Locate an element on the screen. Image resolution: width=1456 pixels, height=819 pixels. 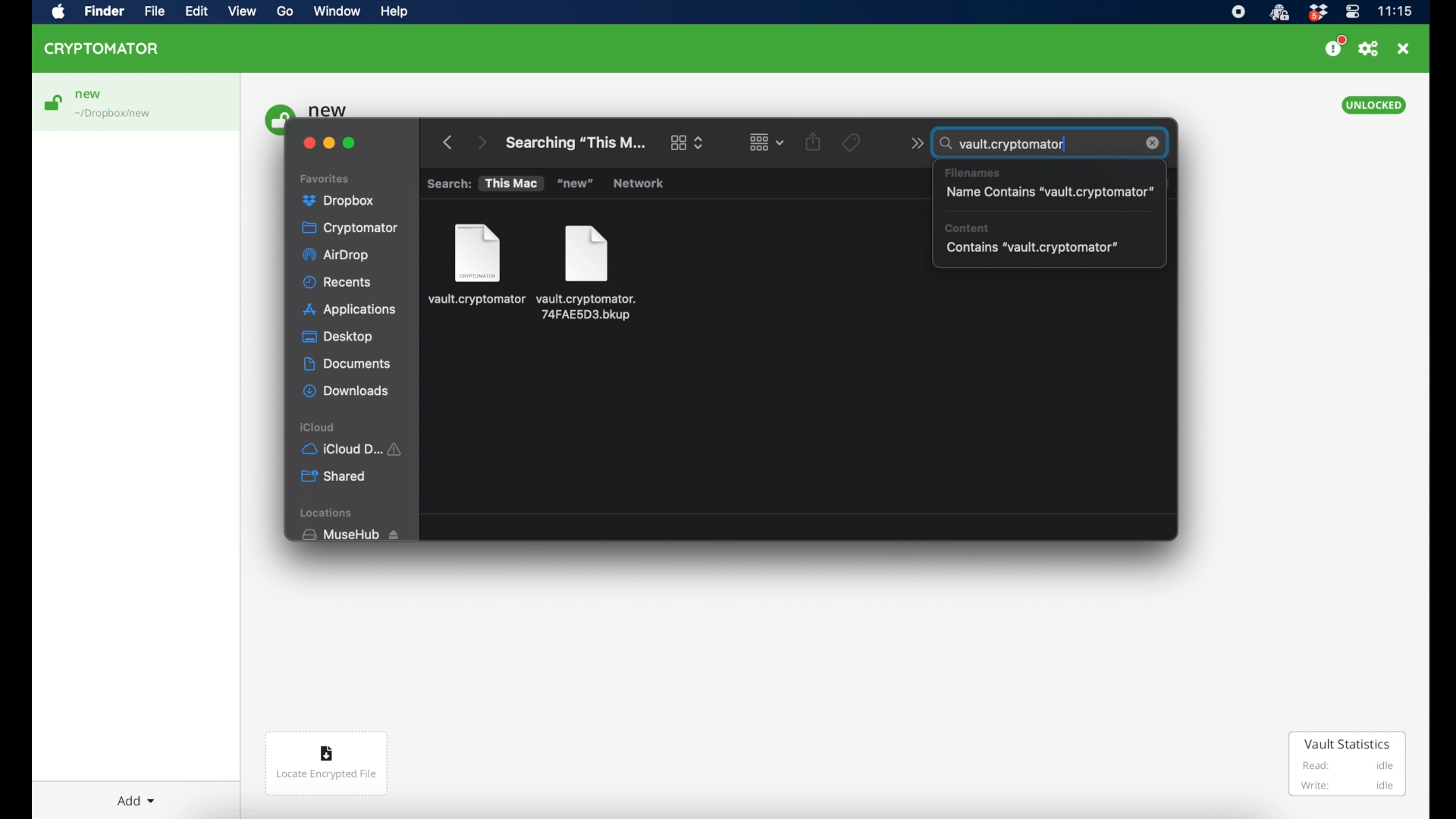
locations is located at coordinates (328, 513).